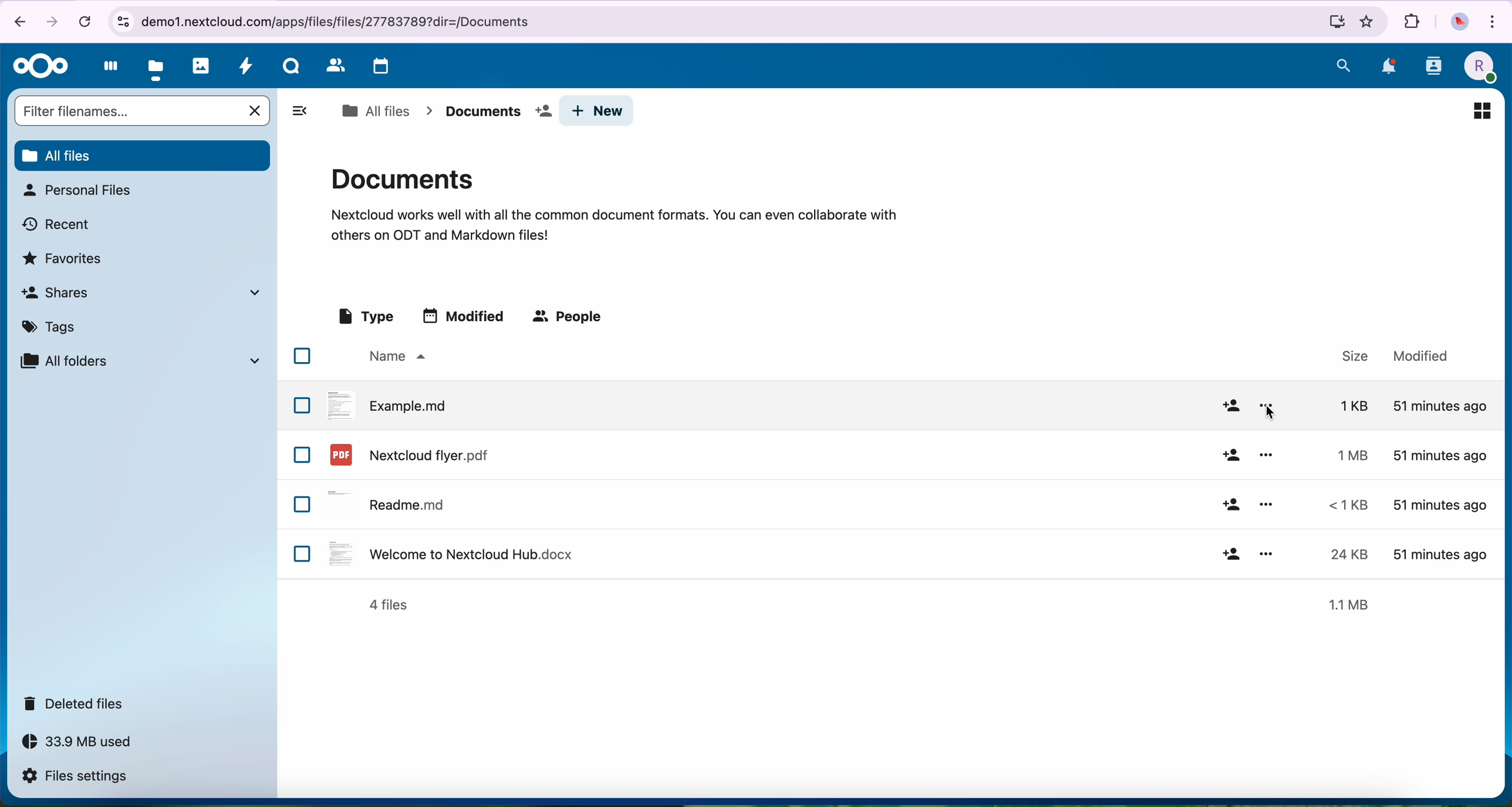  I want to click on options, so click(1267, 455).